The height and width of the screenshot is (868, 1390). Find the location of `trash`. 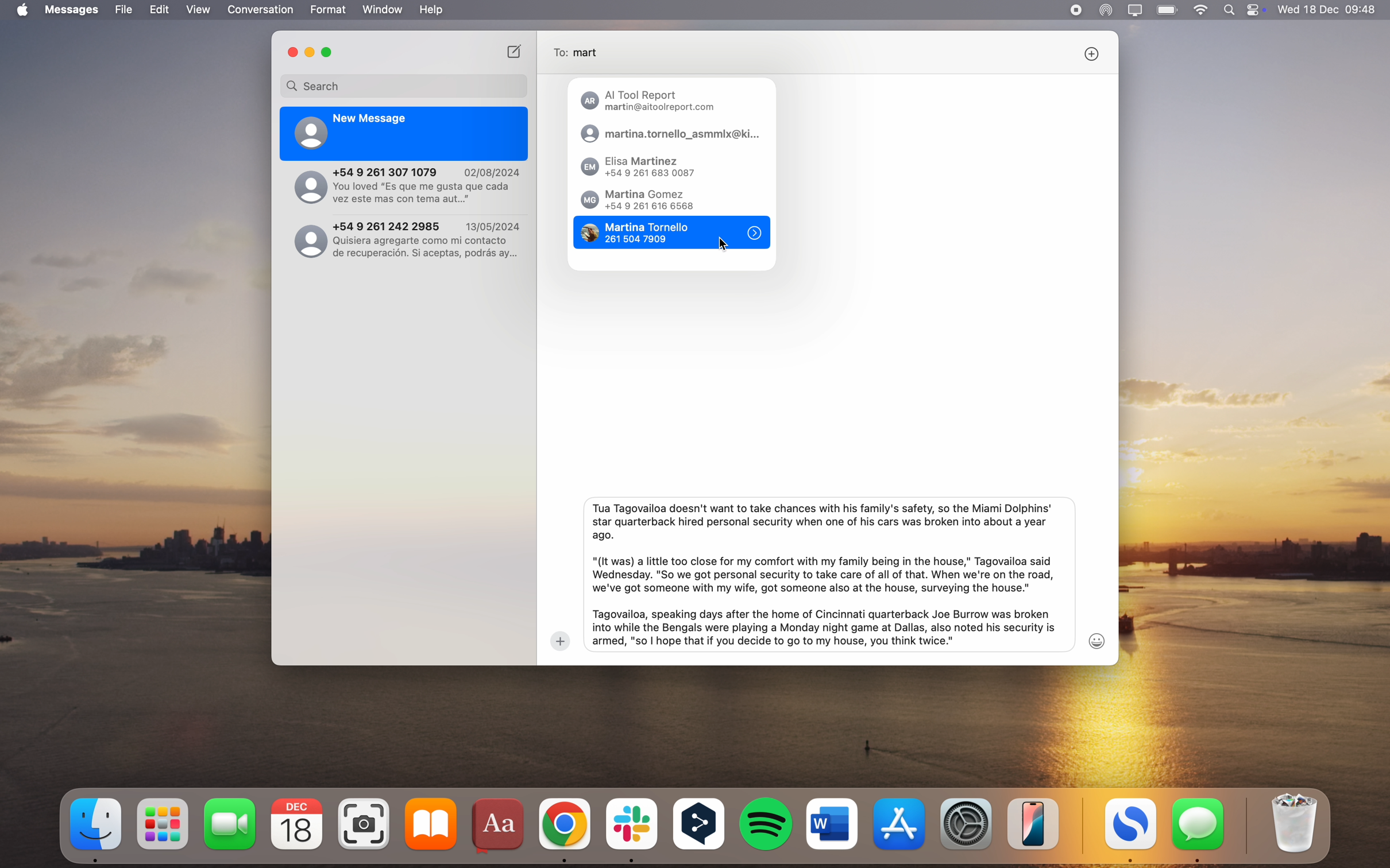

trash is located at coordinates (1292, 824).